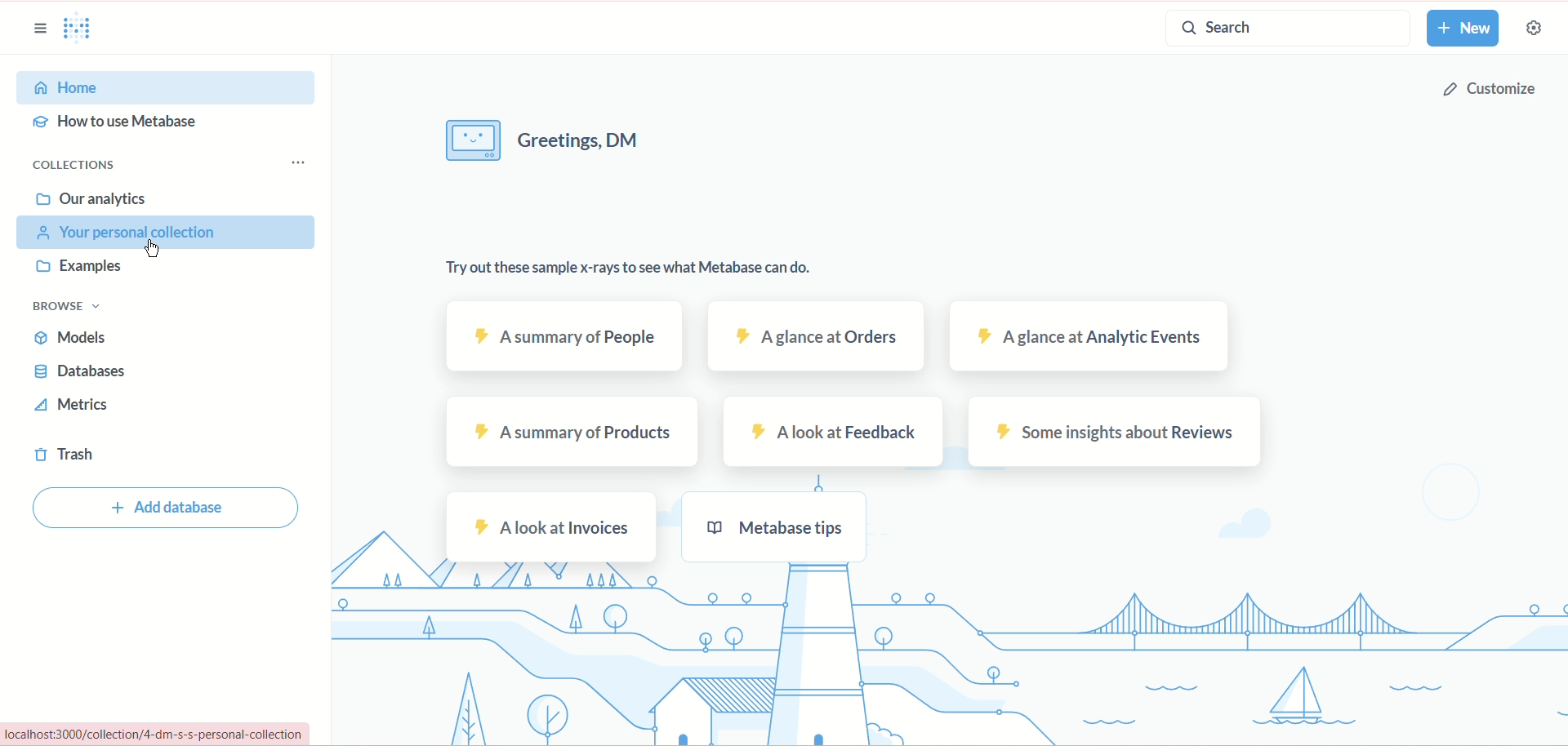 The image size is (1568, 746). I want to click on sidebar options, so click(37, 29).